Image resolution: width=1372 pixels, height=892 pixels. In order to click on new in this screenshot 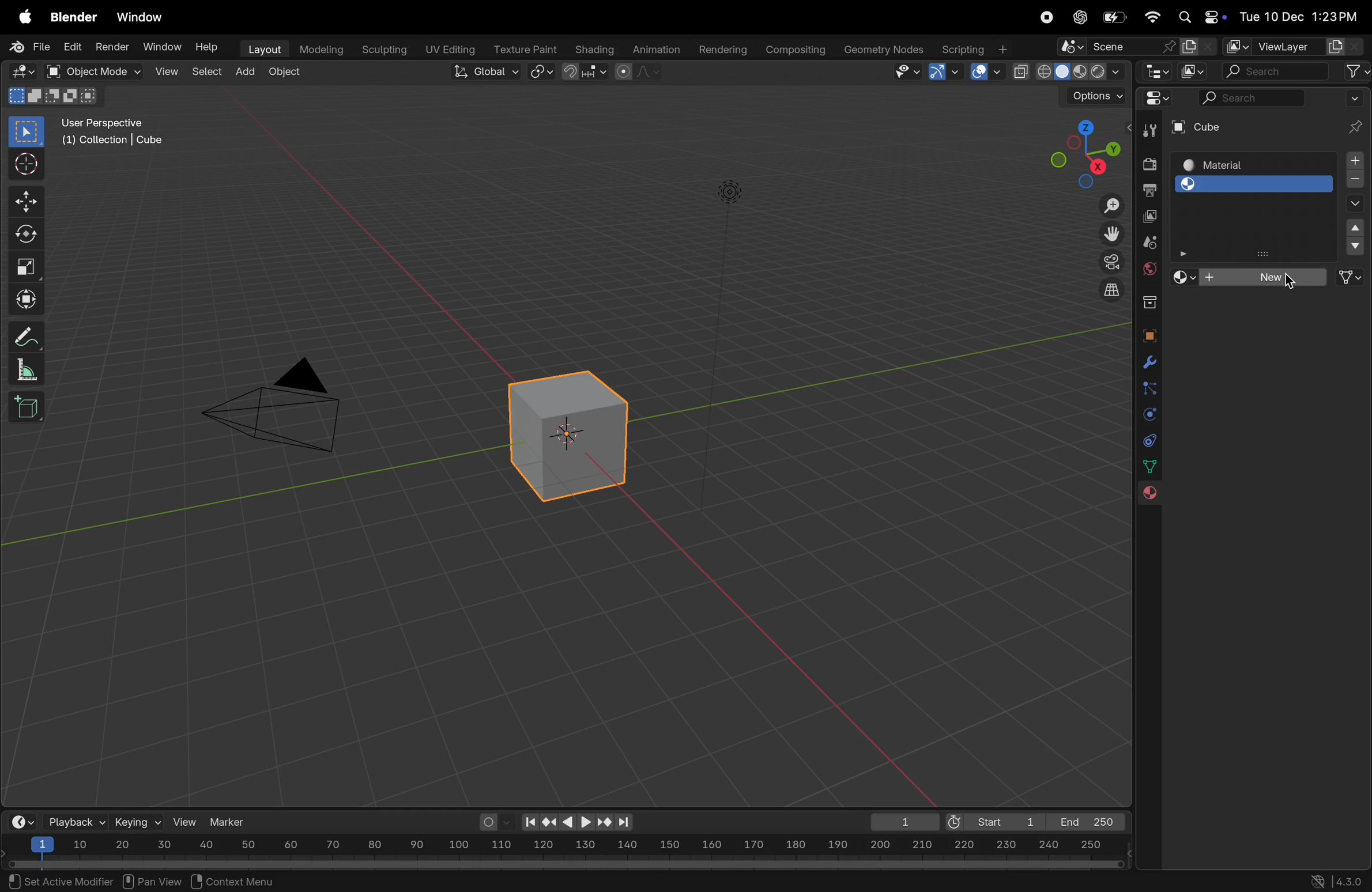, I will do `click(1268, 277)`.